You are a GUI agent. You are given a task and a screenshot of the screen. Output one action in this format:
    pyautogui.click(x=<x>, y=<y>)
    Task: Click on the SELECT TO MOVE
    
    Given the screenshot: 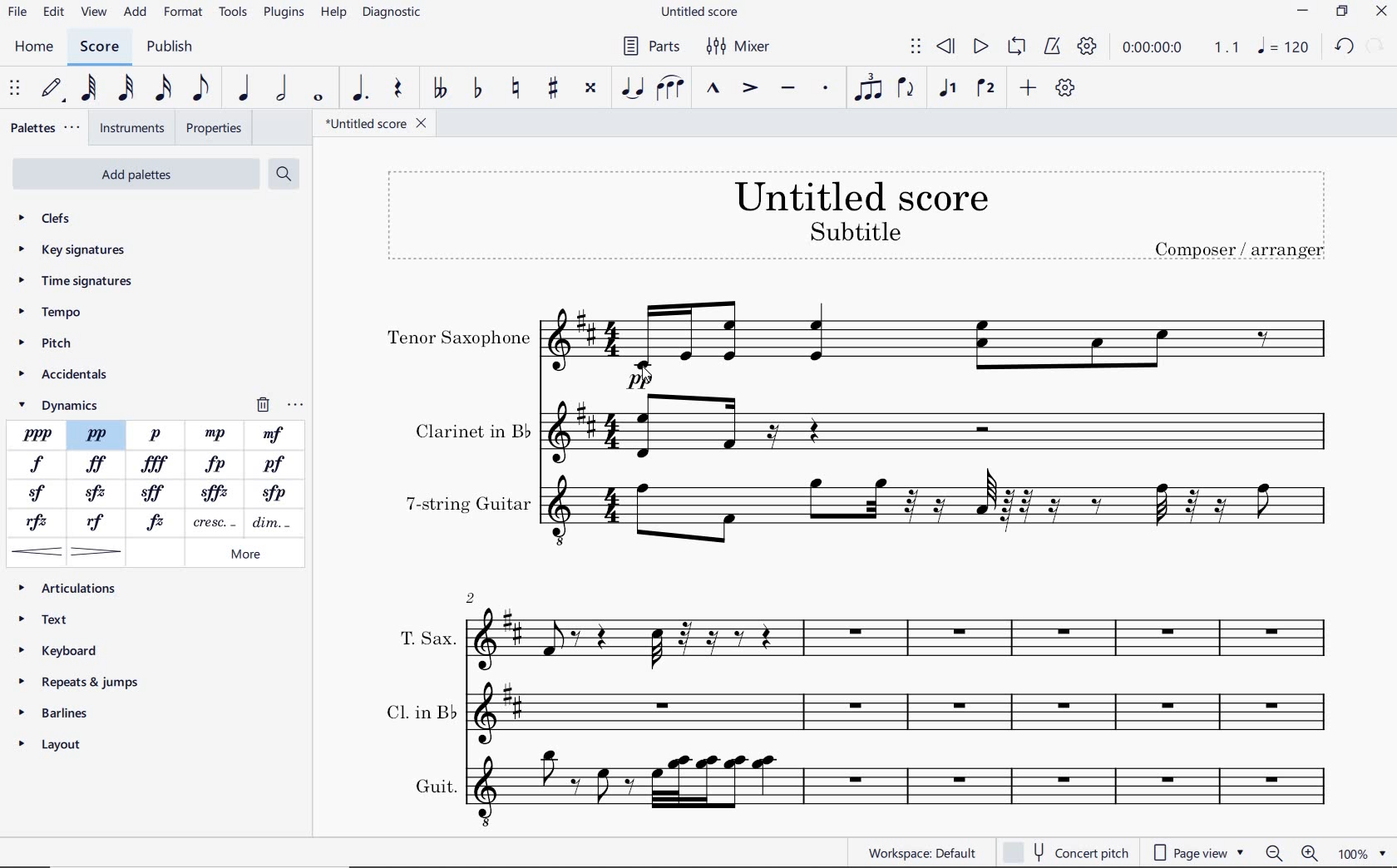 What is the action you would take?
    pyautogui.click(x=16, y=88)
    